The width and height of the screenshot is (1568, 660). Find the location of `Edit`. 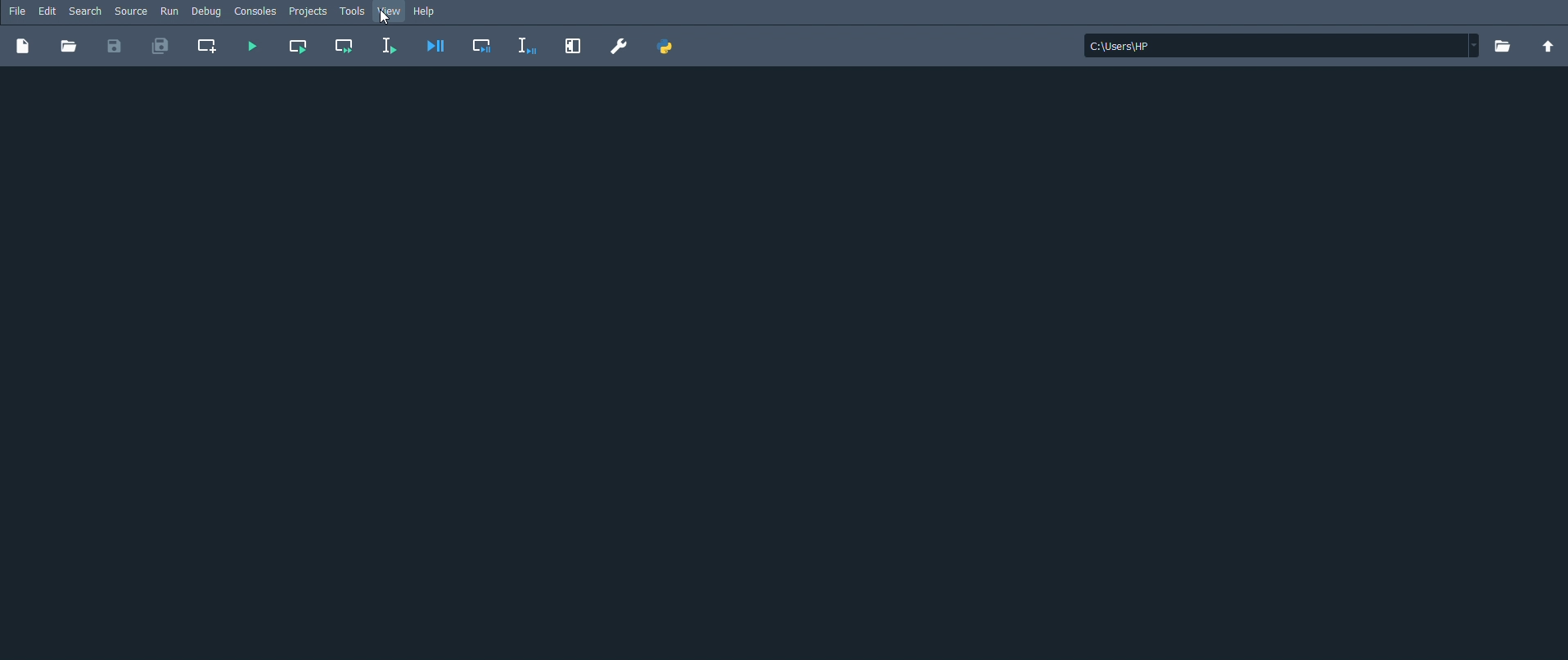

Edit is located at coordinates (47, 11).